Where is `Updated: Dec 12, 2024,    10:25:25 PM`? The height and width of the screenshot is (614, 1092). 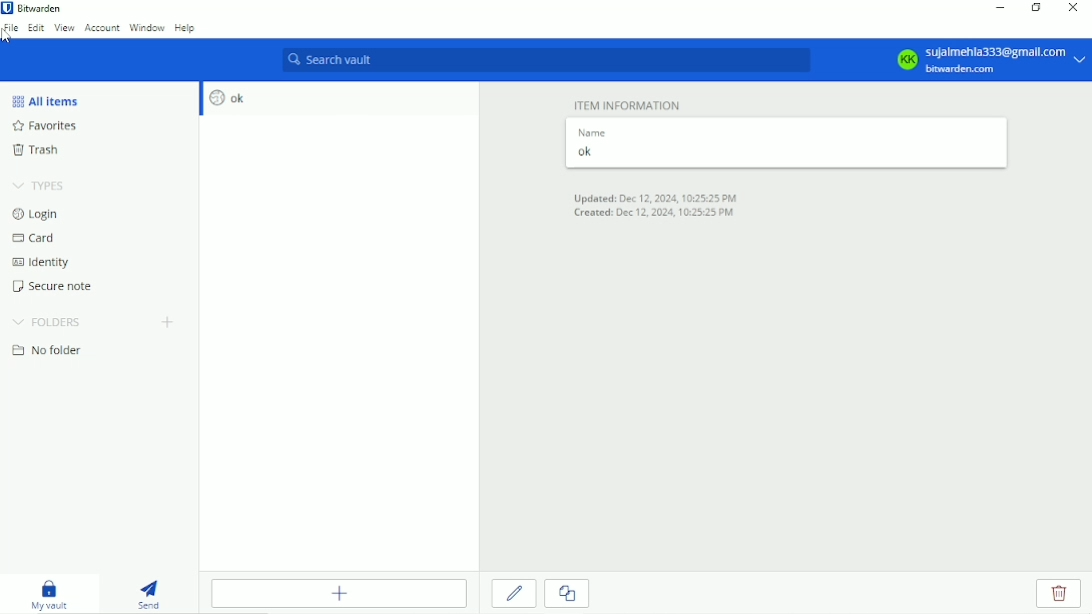 Updated: Dec 12, 2024,    10:25:25 PM is located at coordinates (659, 197).